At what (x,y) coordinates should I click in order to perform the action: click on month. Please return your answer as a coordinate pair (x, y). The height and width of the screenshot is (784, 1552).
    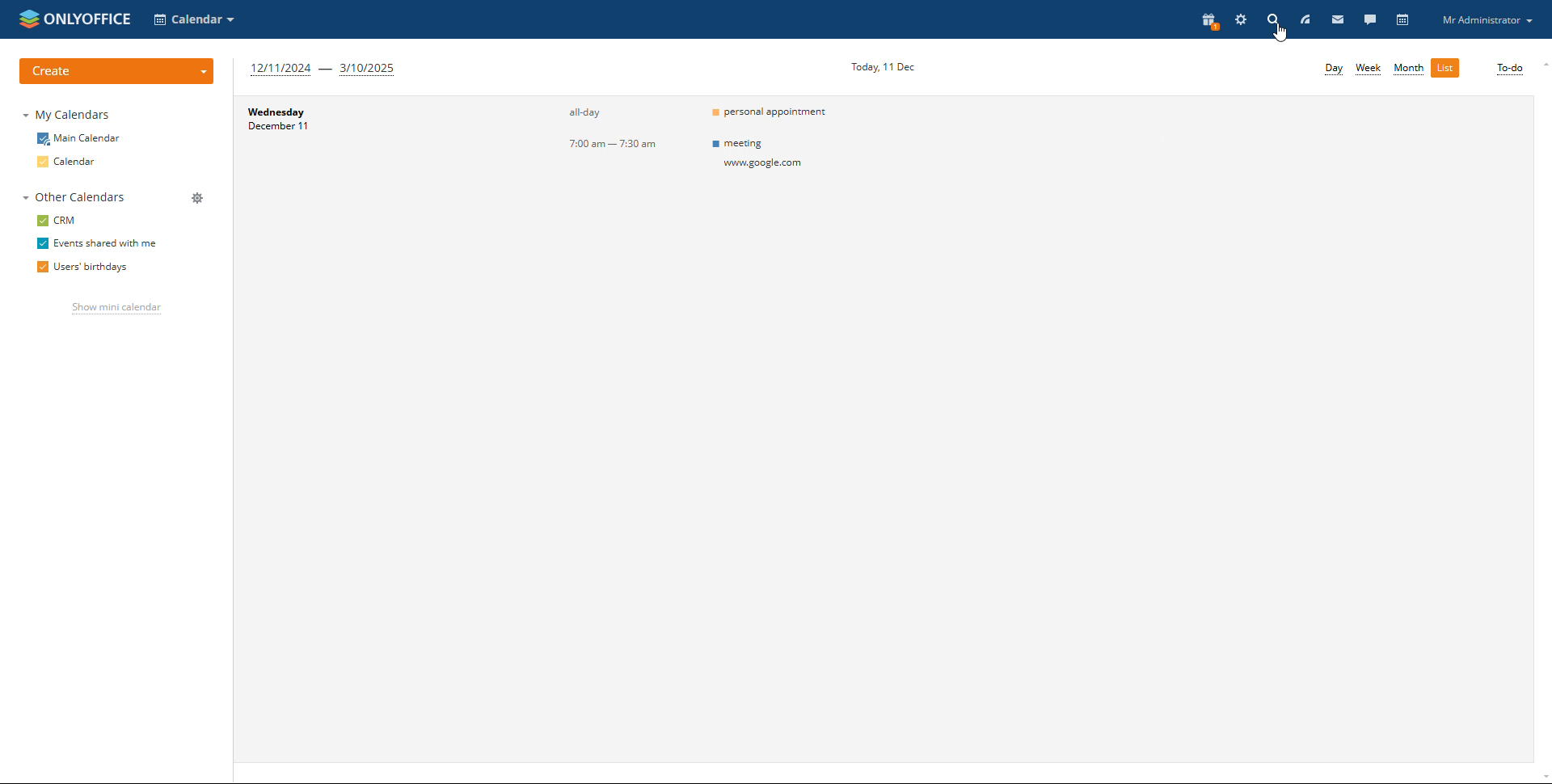
    Looking at the image, I should click on (1409, 67).